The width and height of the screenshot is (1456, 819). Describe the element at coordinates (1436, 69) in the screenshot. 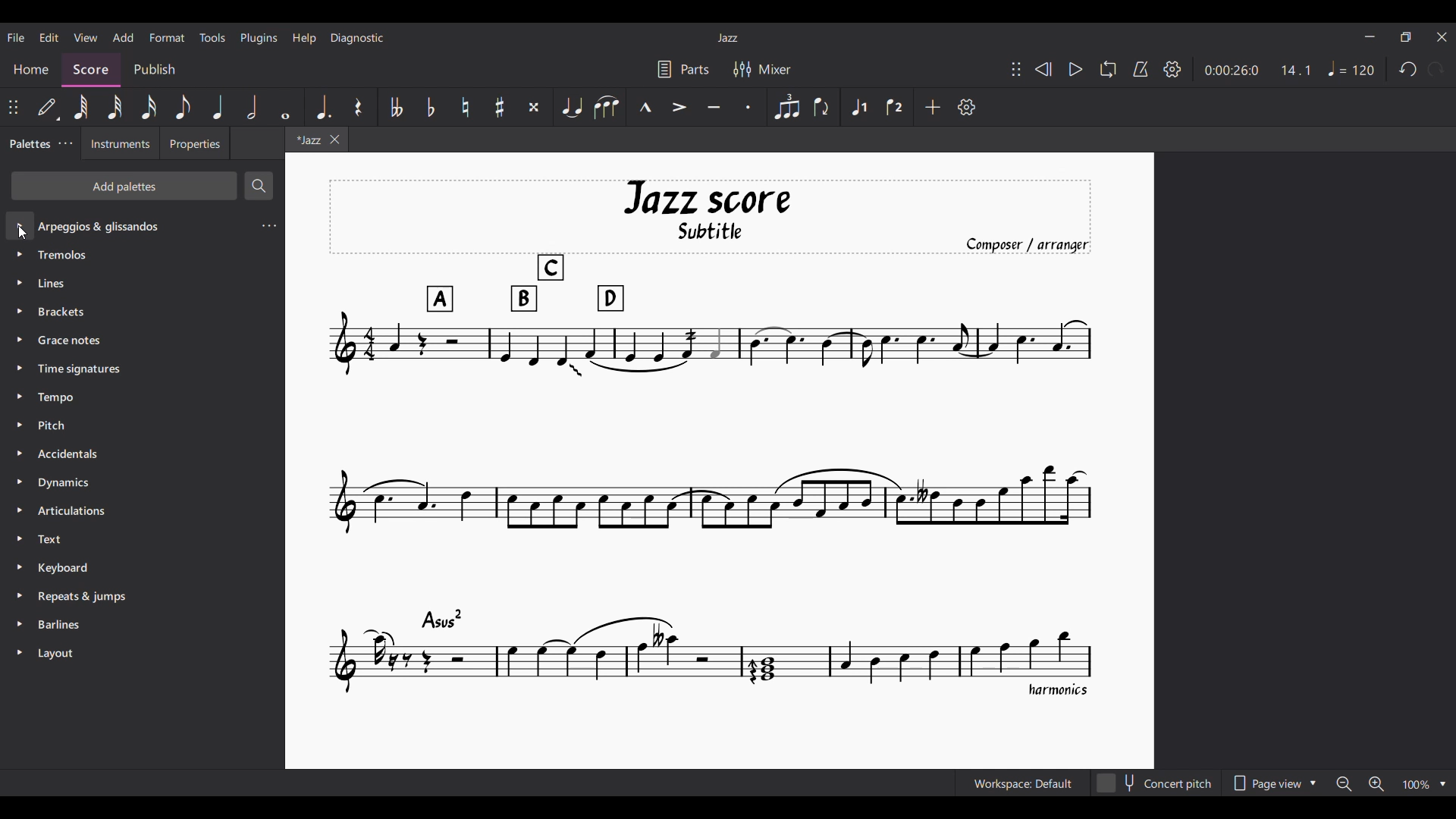

I see `Redo` at that location.